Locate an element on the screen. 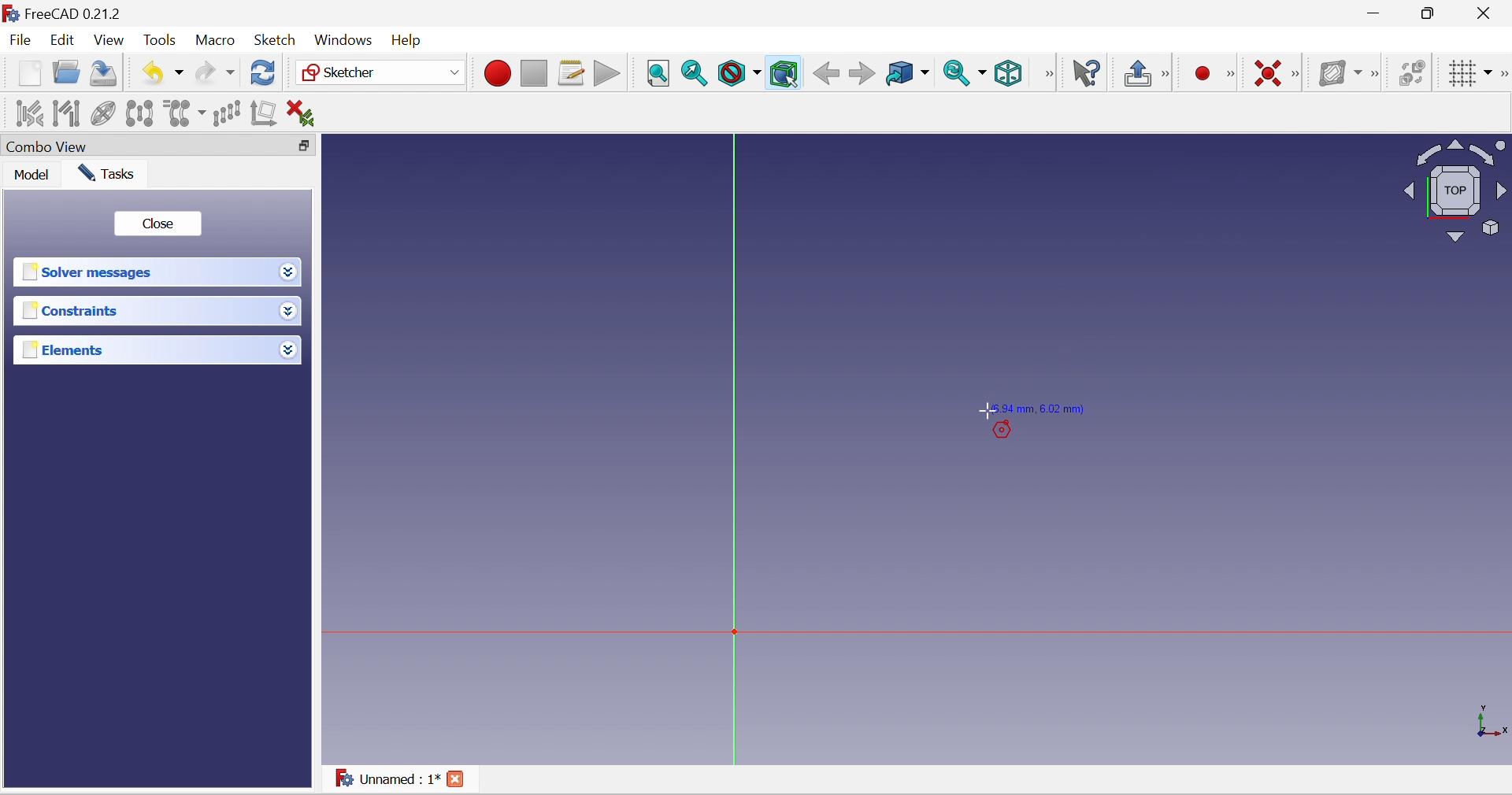  Windows is located at coordinates (344, 39).